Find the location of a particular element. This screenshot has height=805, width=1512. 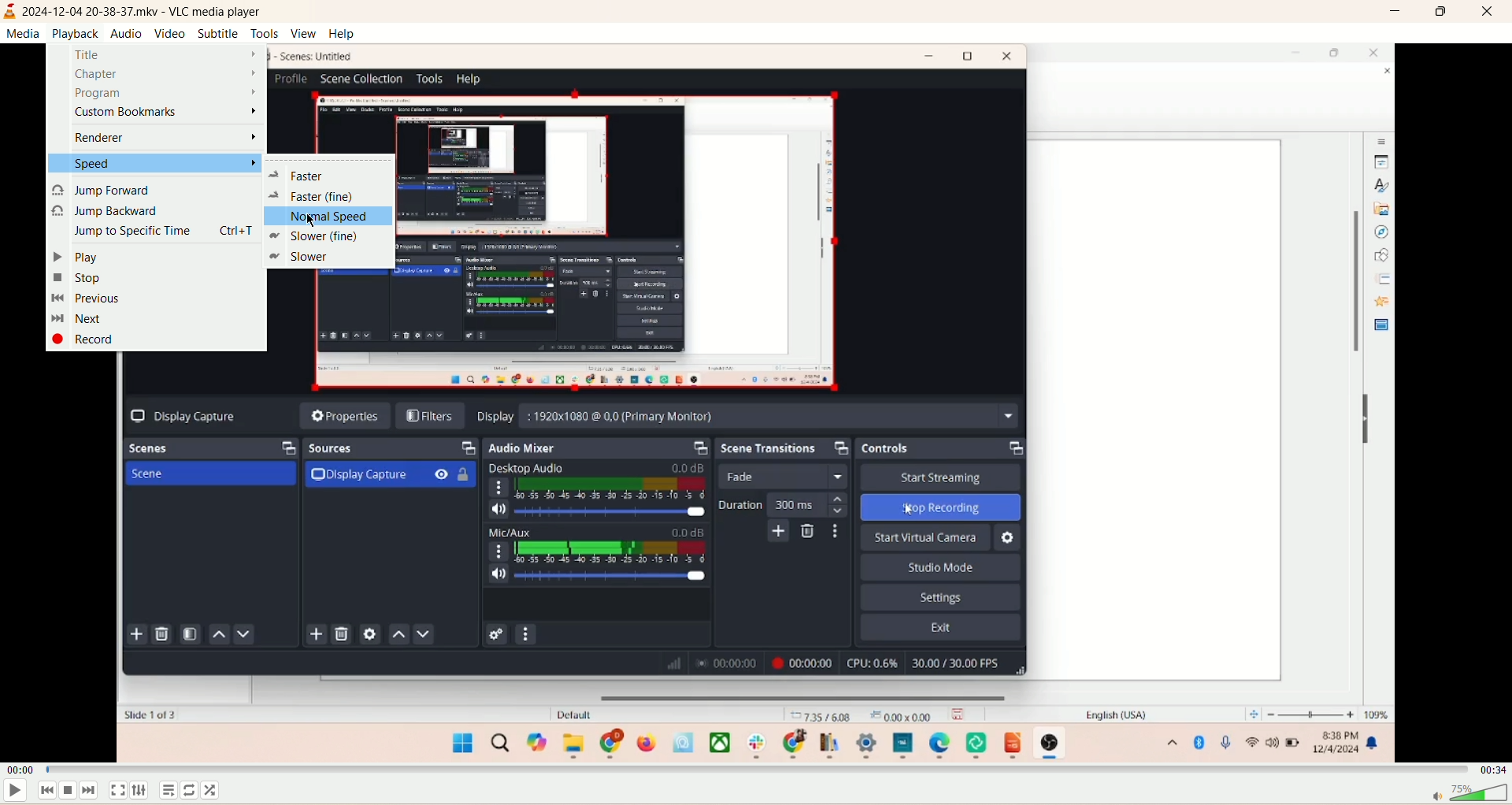

shuffle is located at coordinates (216, 789).